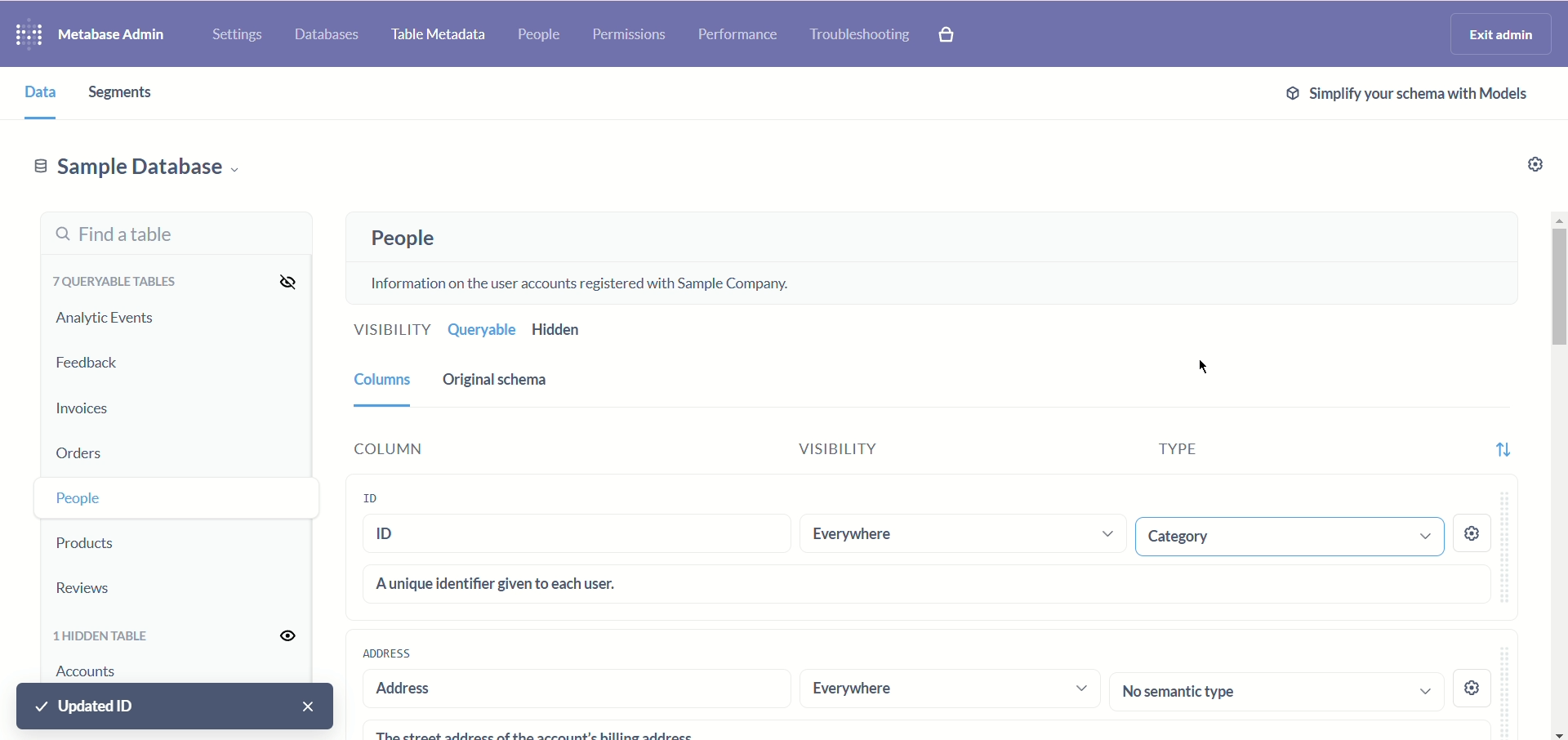  I want to click on Databases, so click(329, 32).